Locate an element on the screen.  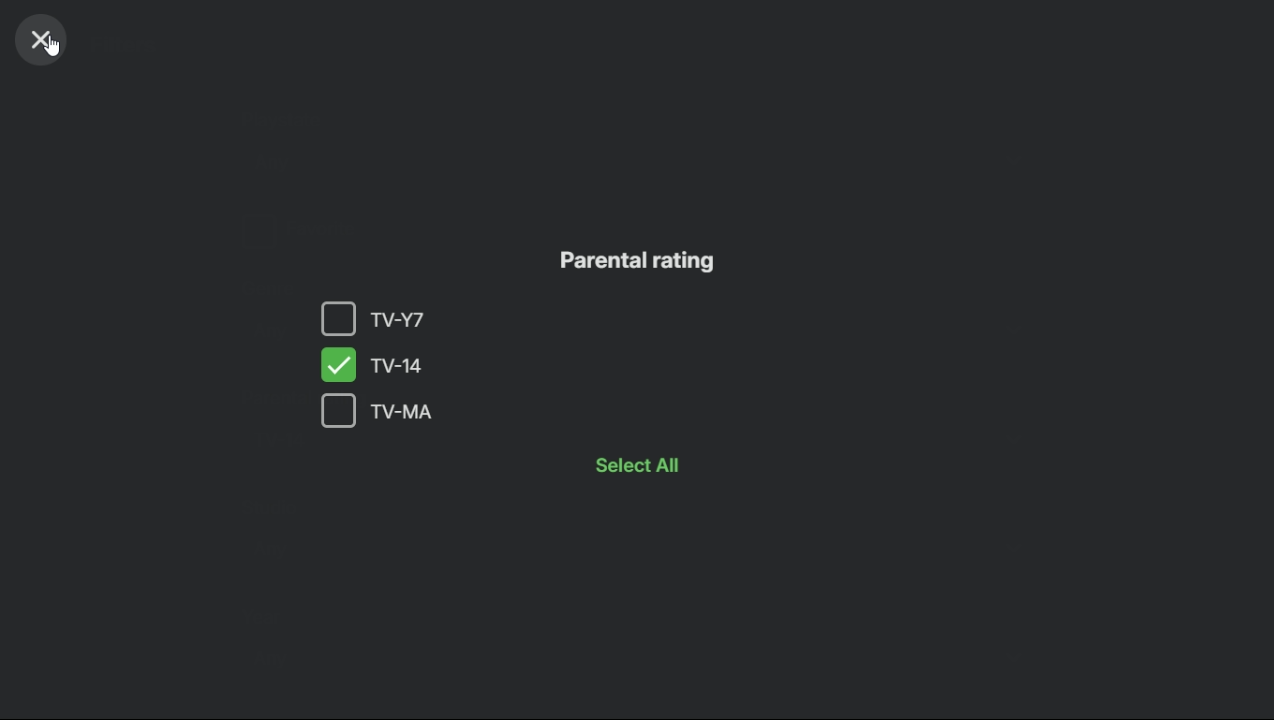
parental rating is located at coordinates (648, 262).